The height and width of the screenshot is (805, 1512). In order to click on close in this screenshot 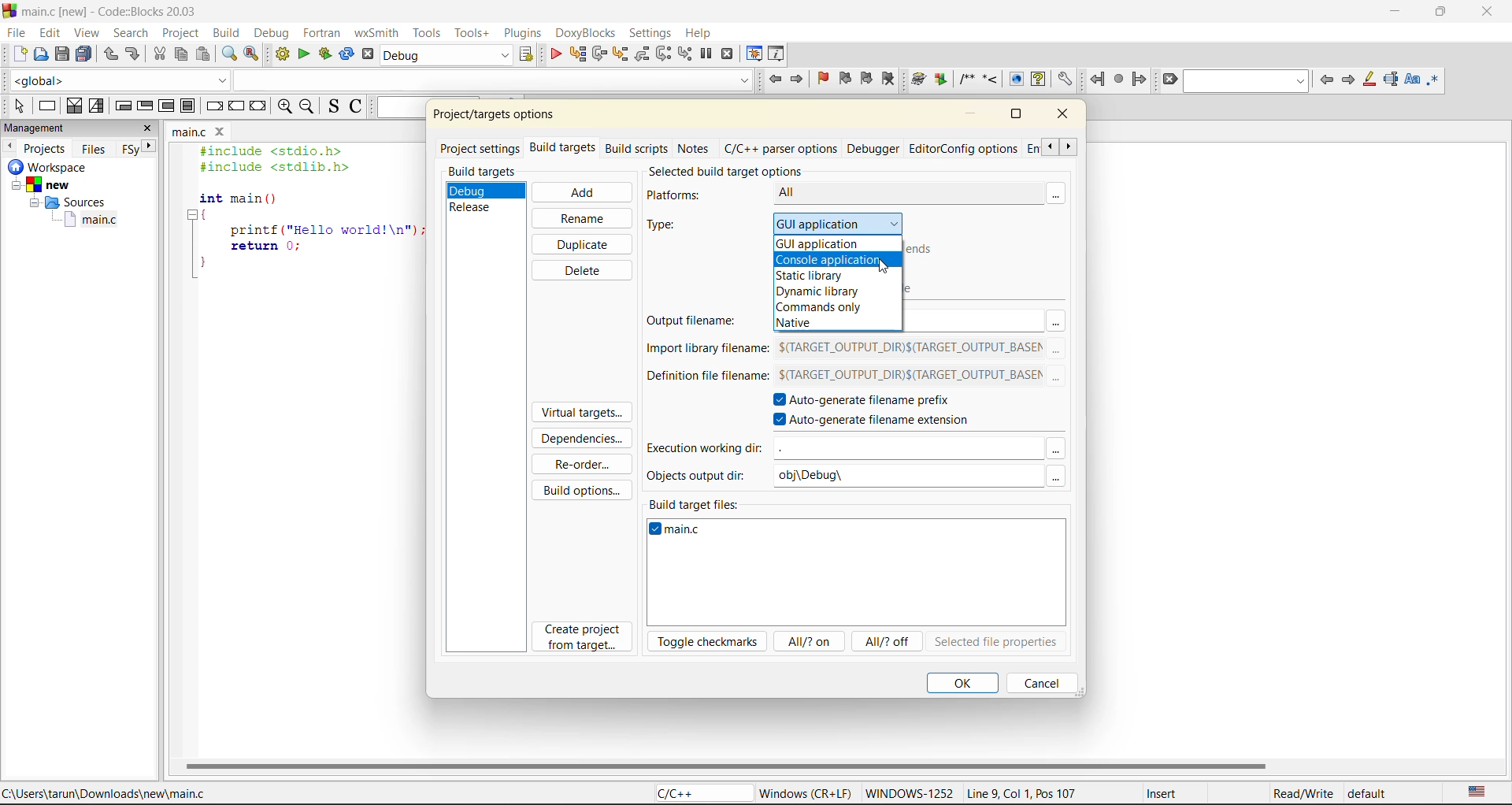, I will do `click(1066, 117)`.